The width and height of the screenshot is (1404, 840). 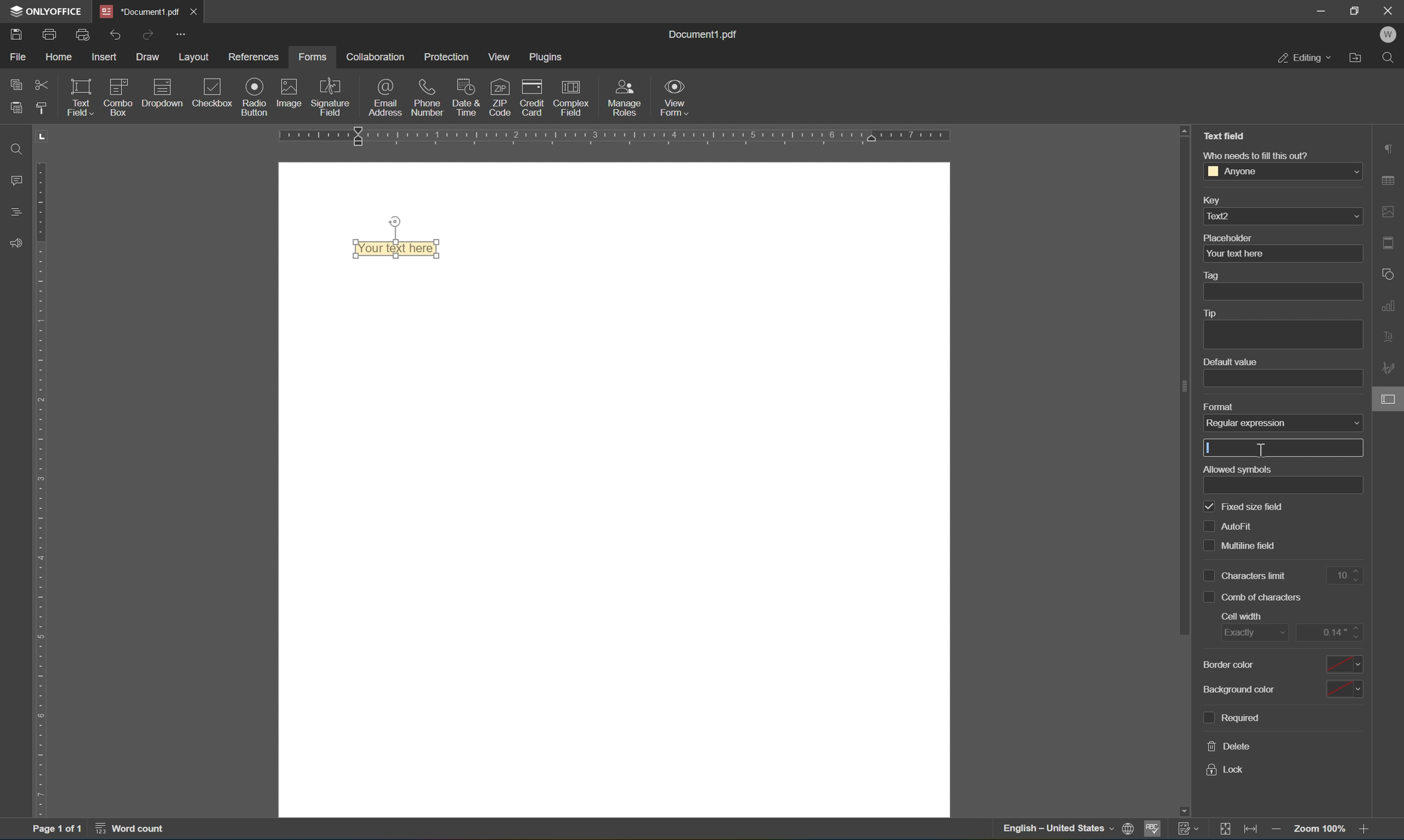 What do you see at coordinates (1391, 9) in the screenshot?
I see `close` at bounding box center [1391, 9].